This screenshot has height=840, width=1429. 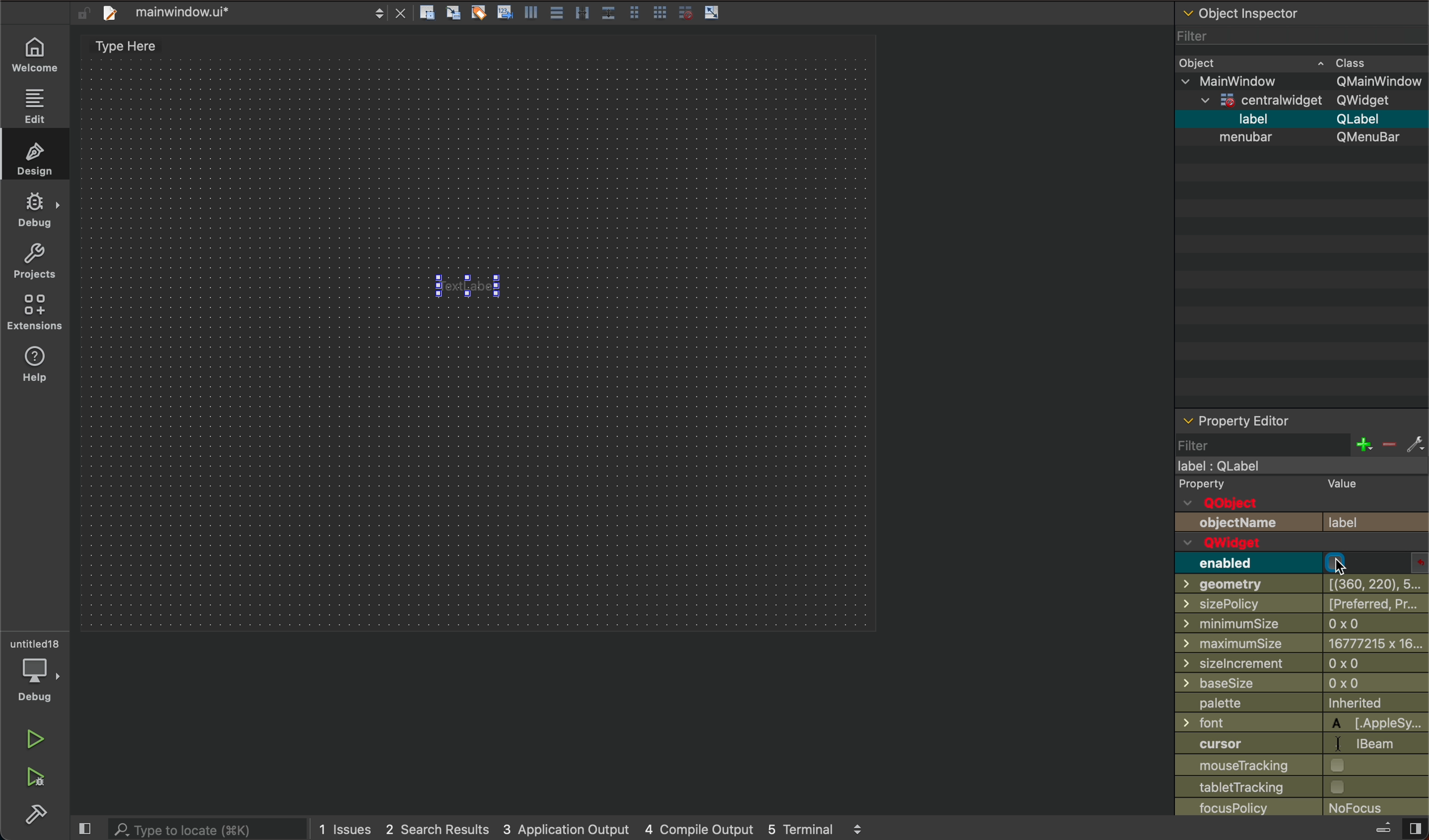 I want to click on menubar, so click(x=1244, y=138).